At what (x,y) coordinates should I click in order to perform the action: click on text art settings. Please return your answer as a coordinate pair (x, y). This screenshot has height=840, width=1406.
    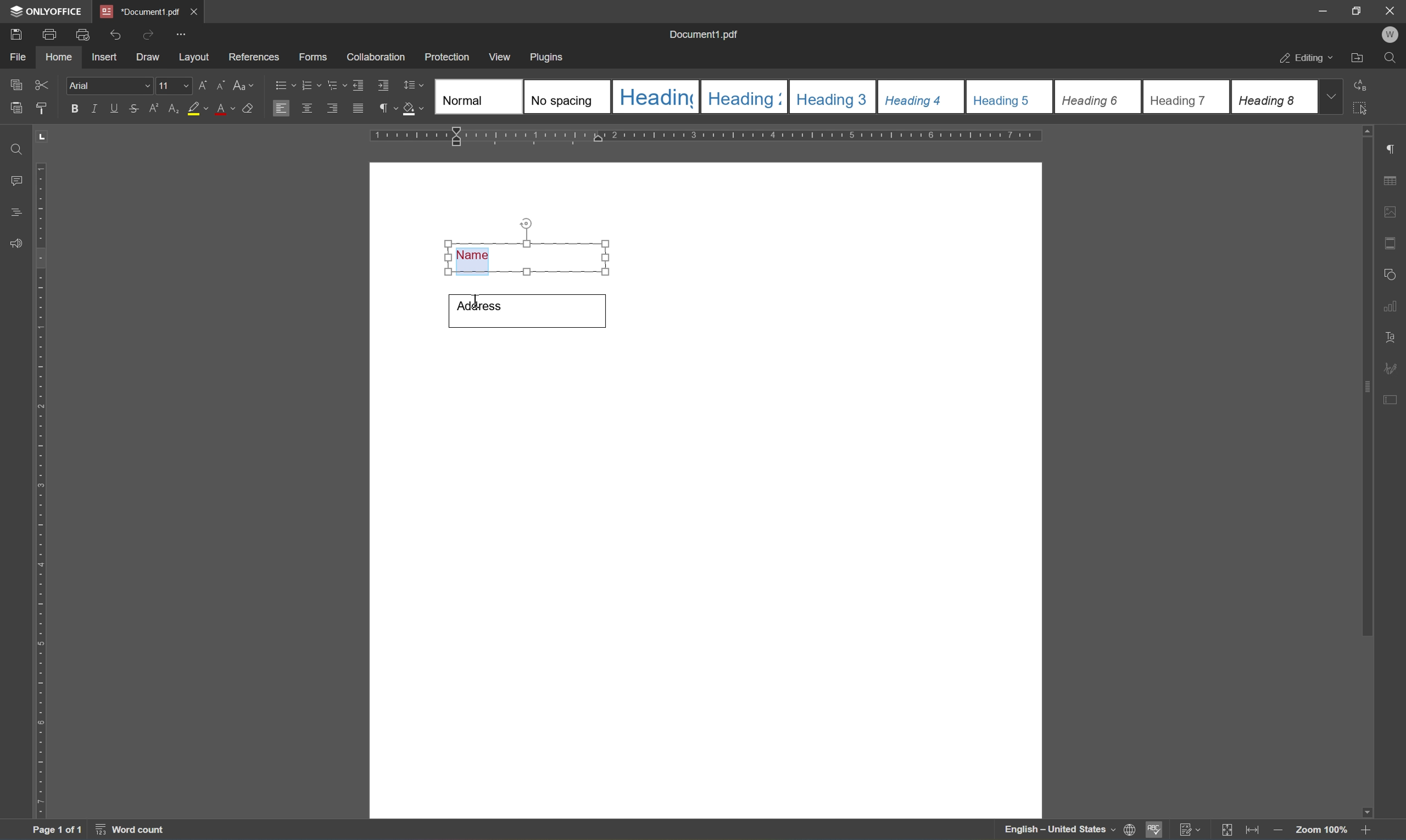
    Looking at the image, I should click on (1392, 335).